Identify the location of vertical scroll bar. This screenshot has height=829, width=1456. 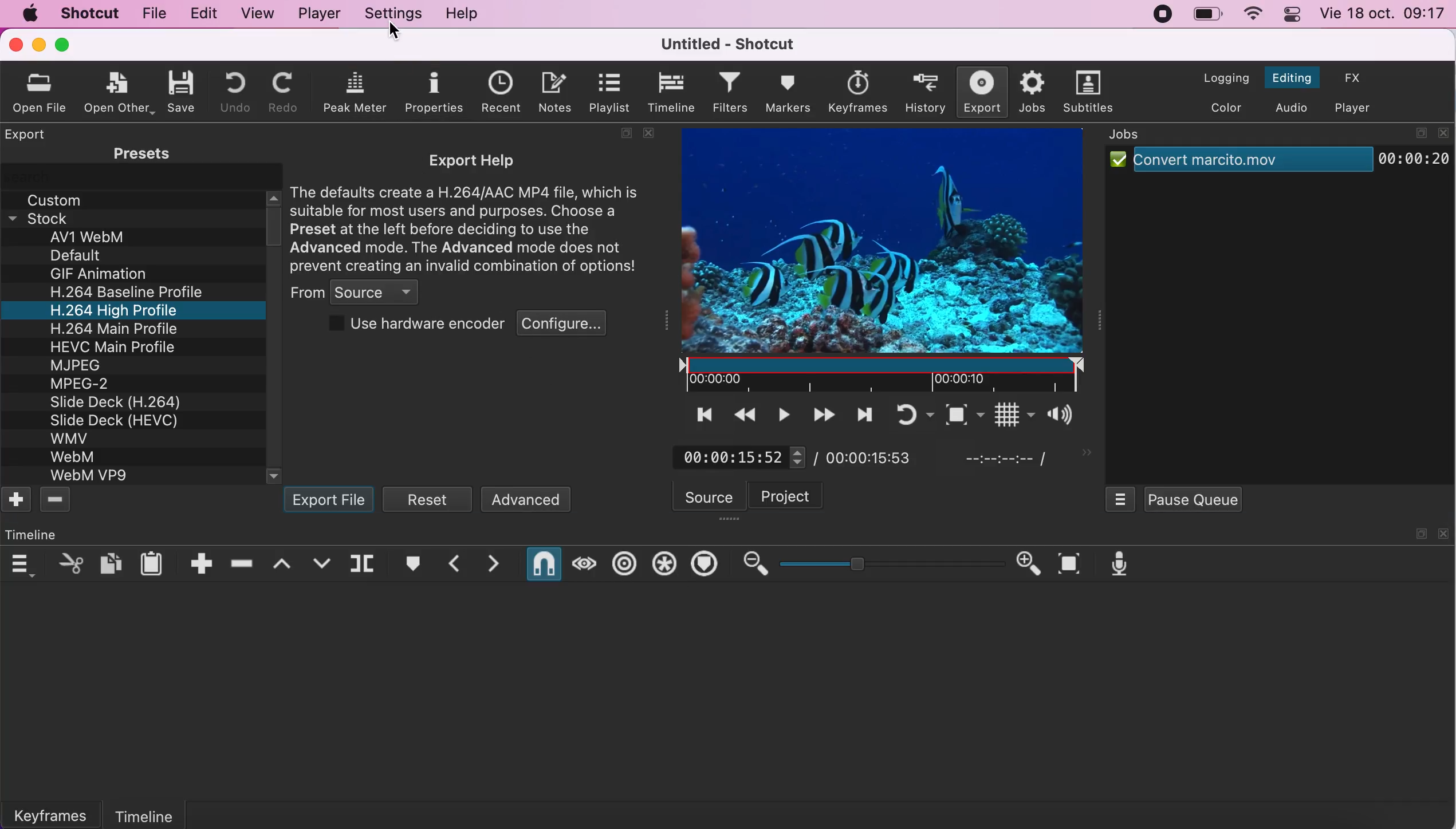
(275, 224).